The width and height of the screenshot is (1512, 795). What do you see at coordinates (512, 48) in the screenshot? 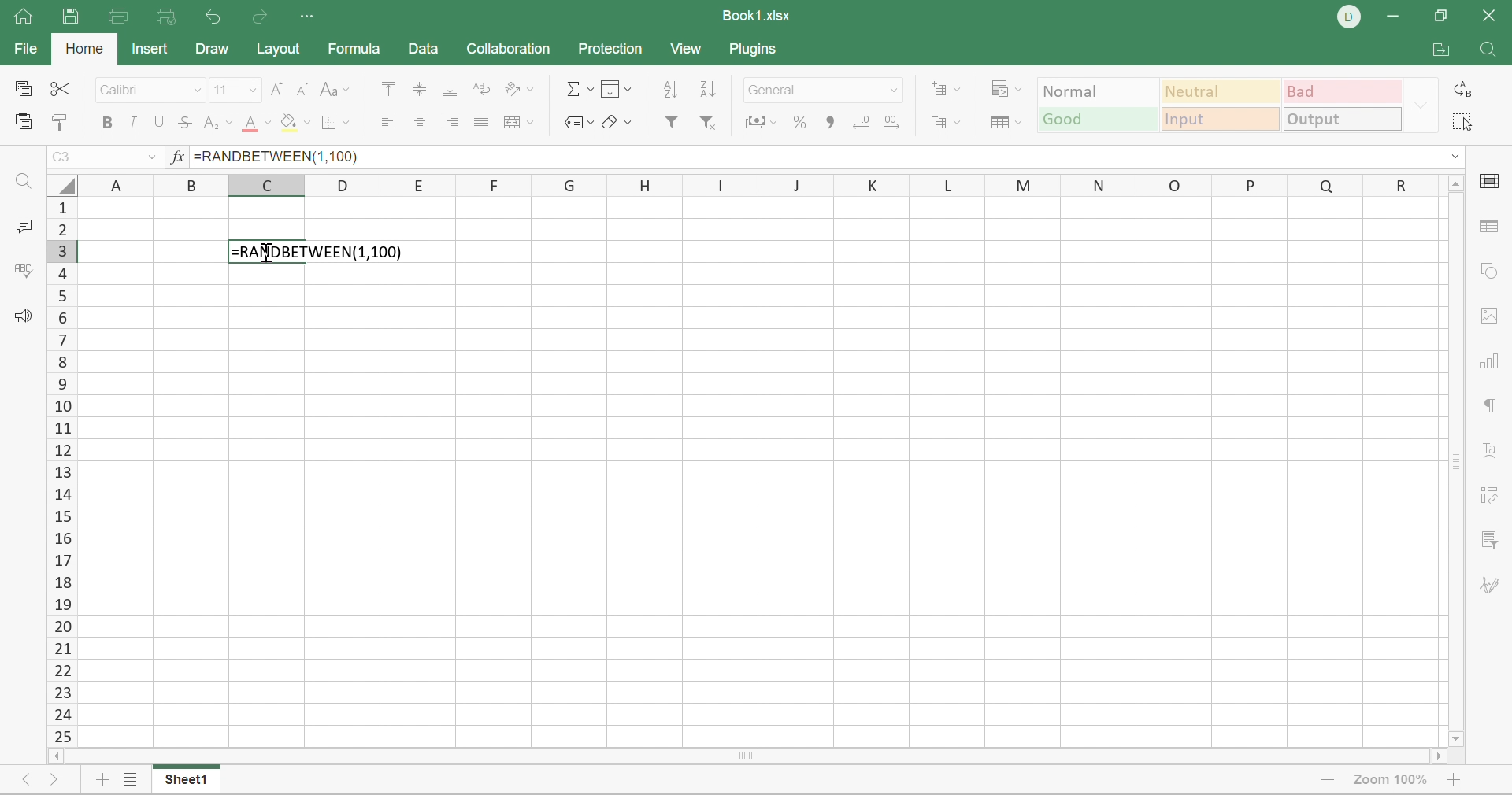
I see `Collaboration` at bounding box center [512, 48].